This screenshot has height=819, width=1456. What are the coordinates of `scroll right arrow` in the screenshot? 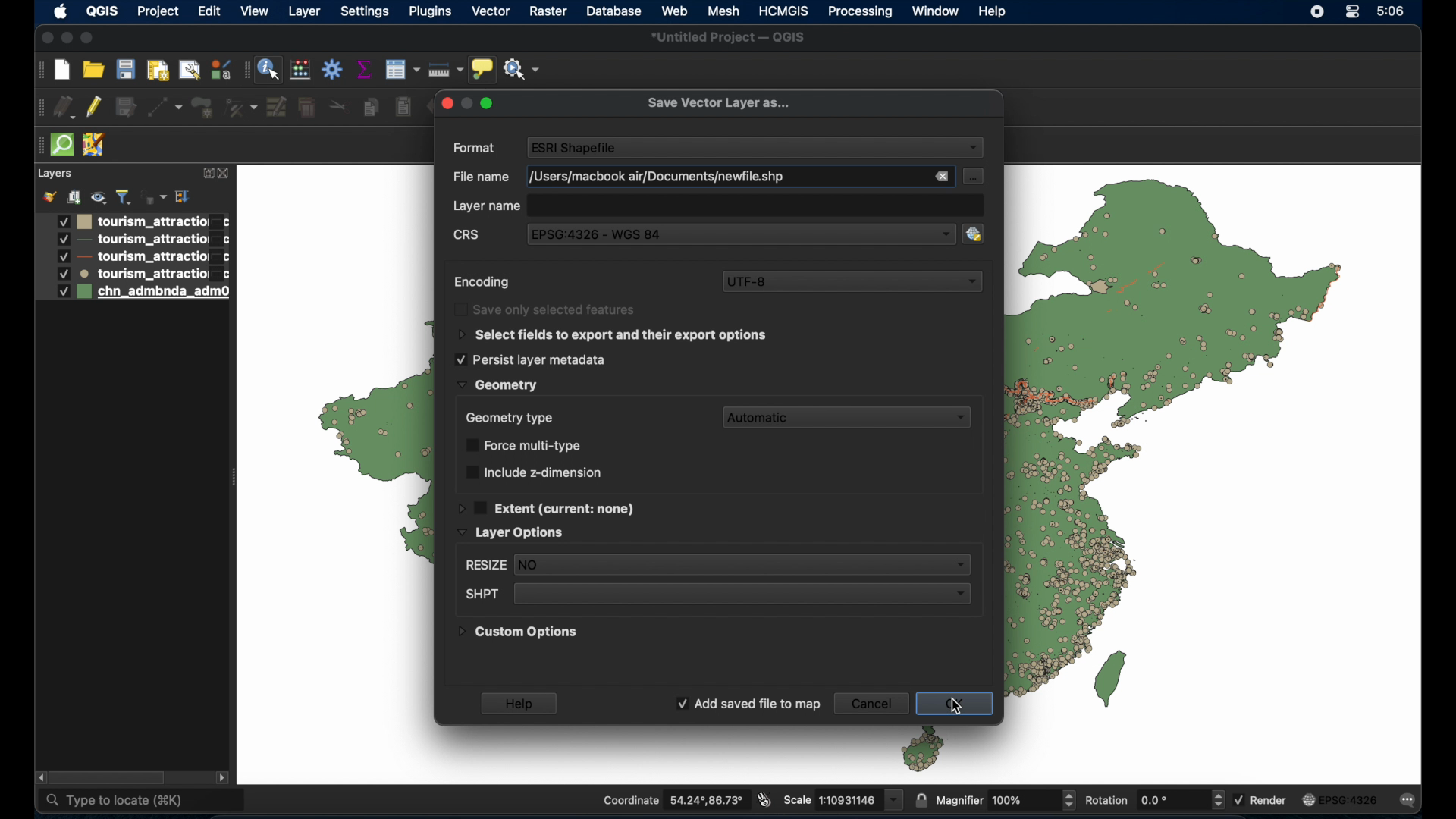 It's located at (222, 777).